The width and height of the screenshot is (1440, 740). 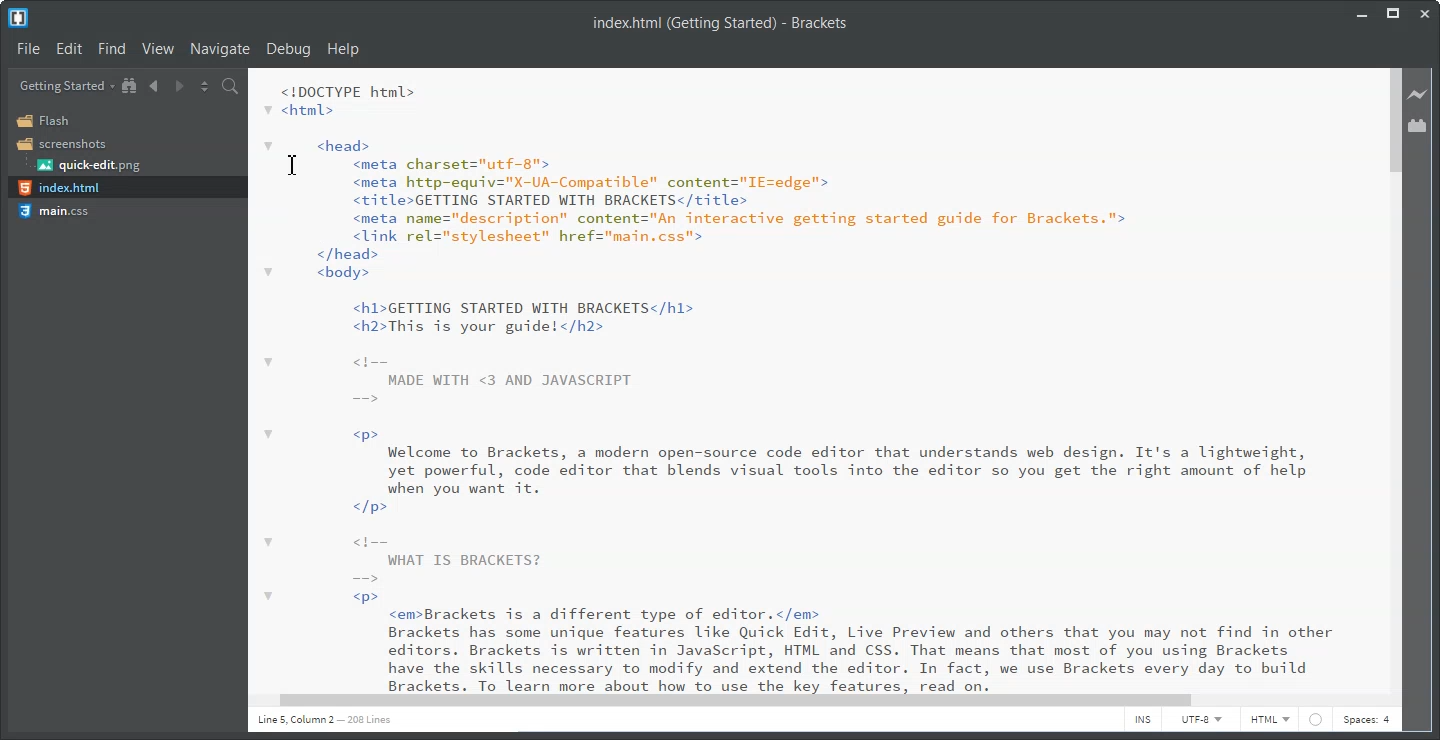 What do you see at coordinates (205, 86) in the screenshot?
I see `Split the editor vertically and horizontally` at bounding box center [205, 86].